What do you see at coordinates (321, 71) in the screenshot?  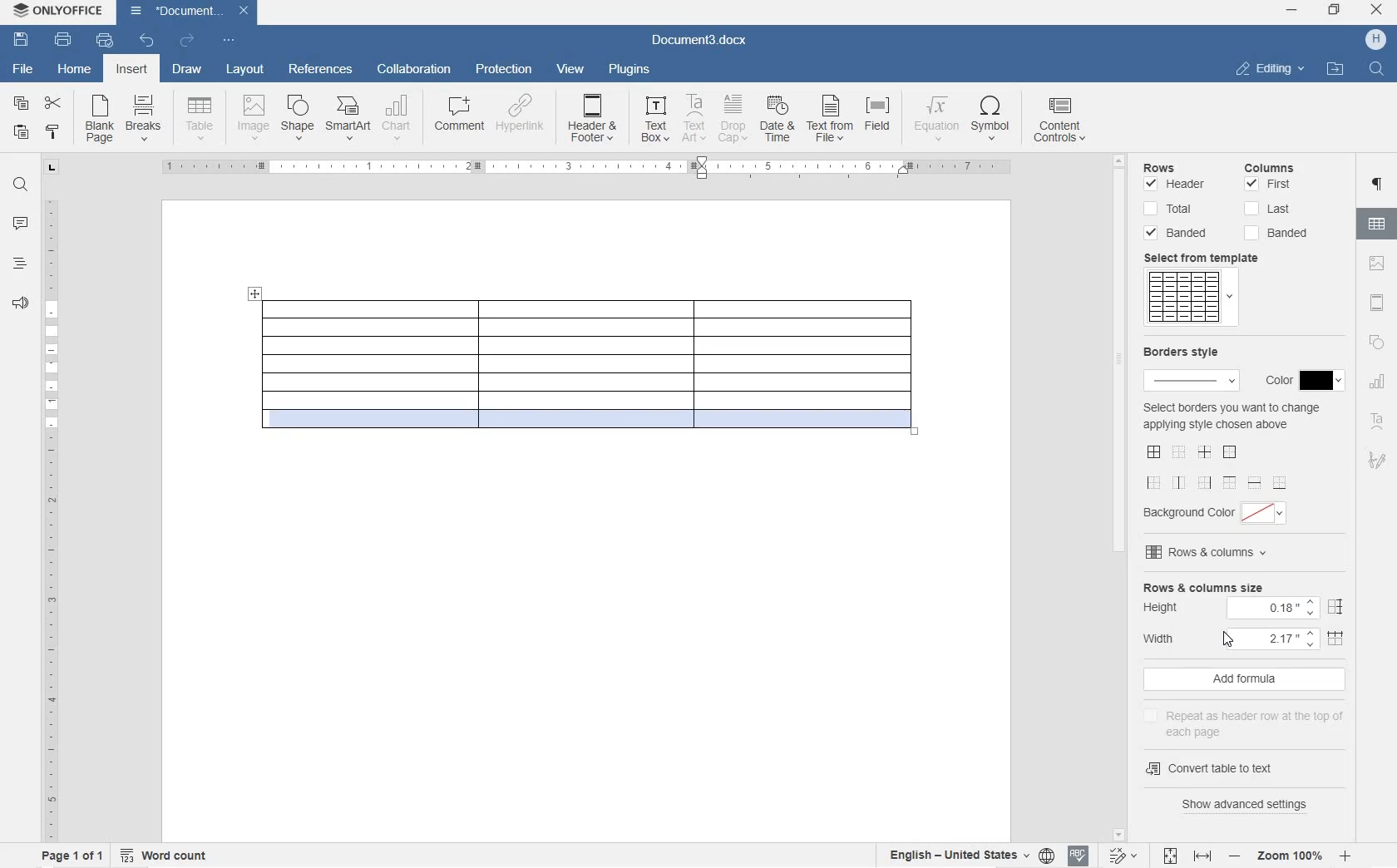 I see `REFERENCES` at bounding box center [321, 71].